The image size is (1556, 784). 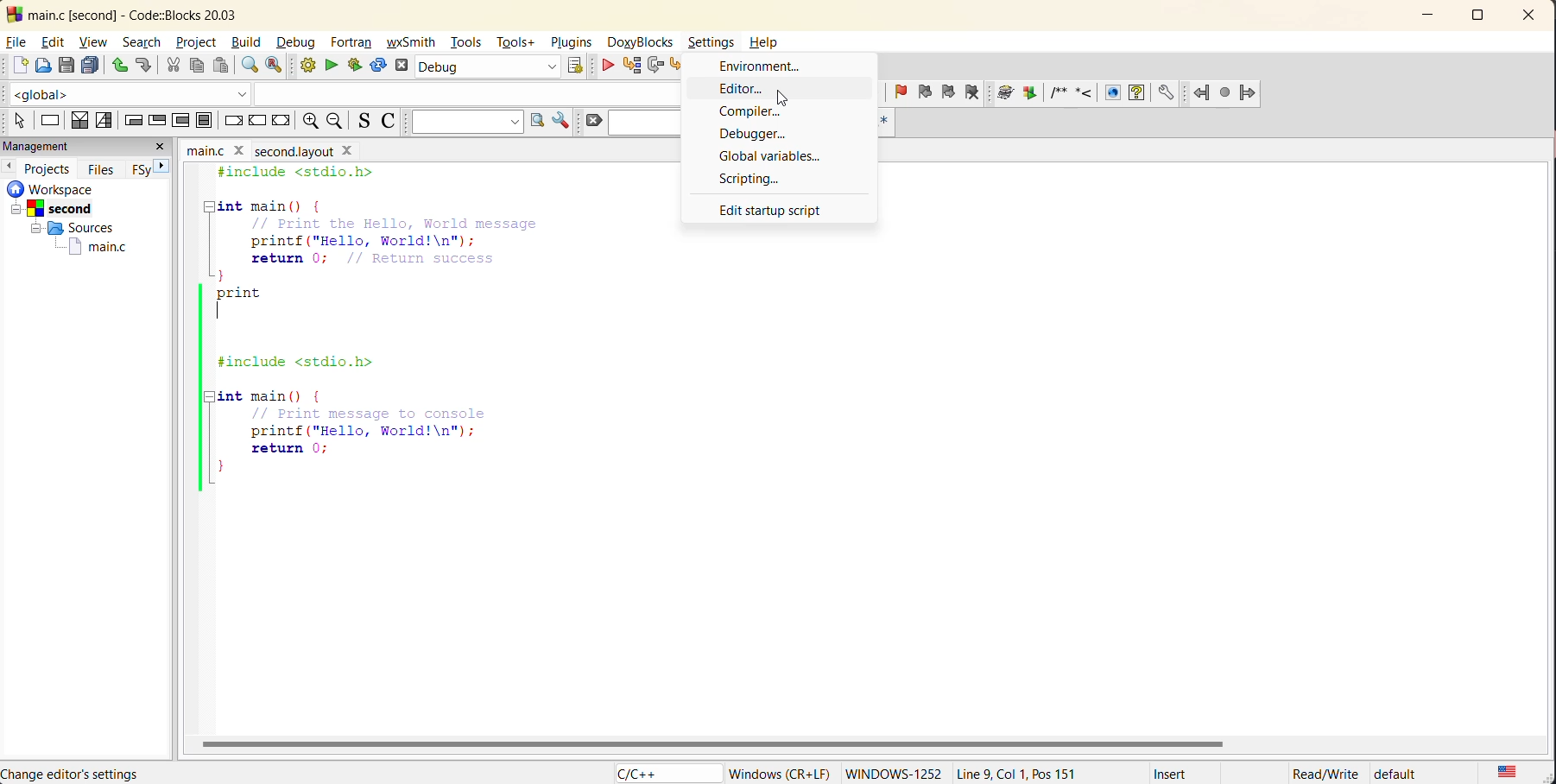 What do you see at coordinates (154, 14) in the screenshot?
I see `app name and file name` at bounding box center [154, 14].